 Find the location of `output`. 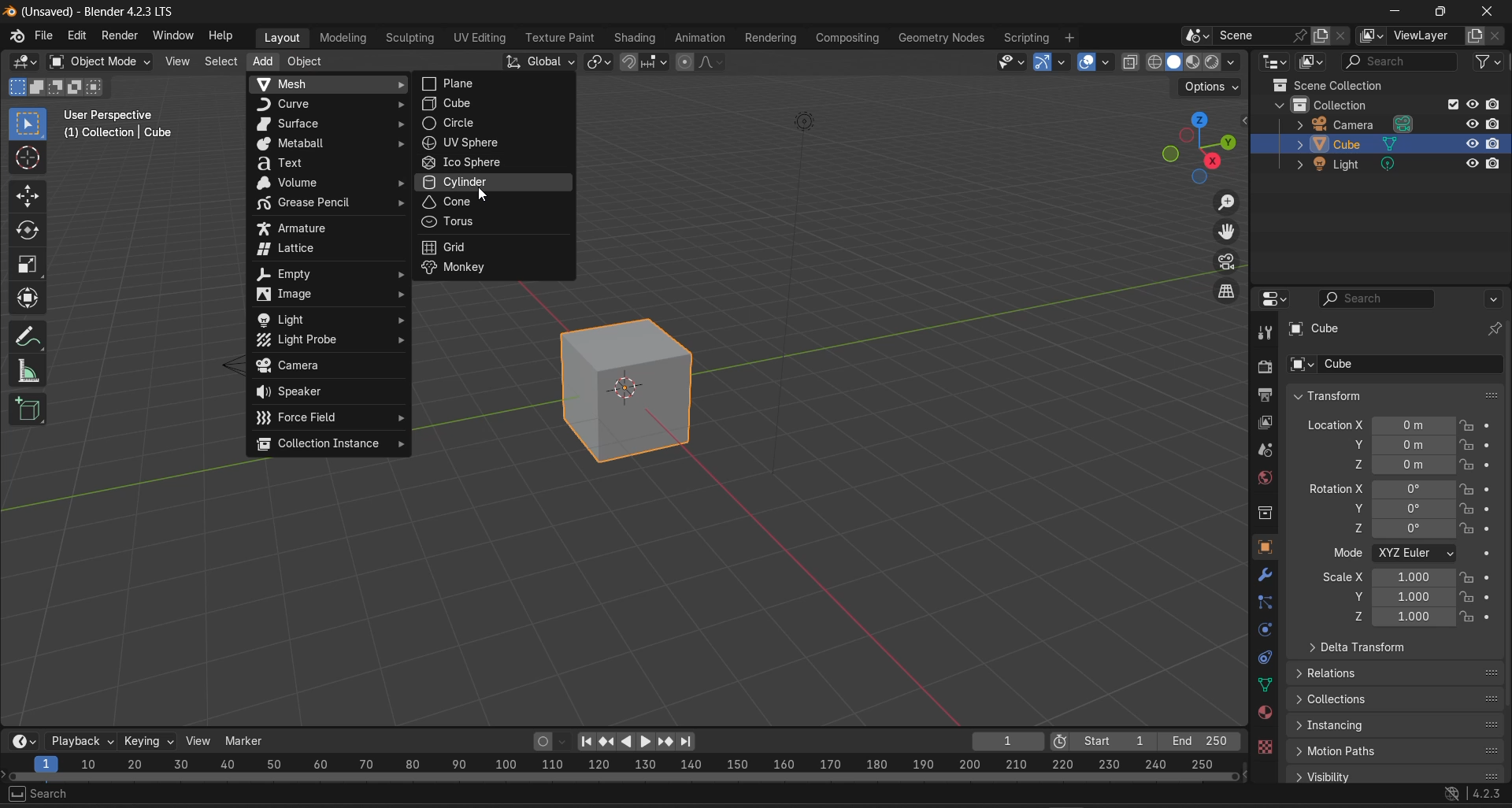

output is located at coordinates (1266, 395).